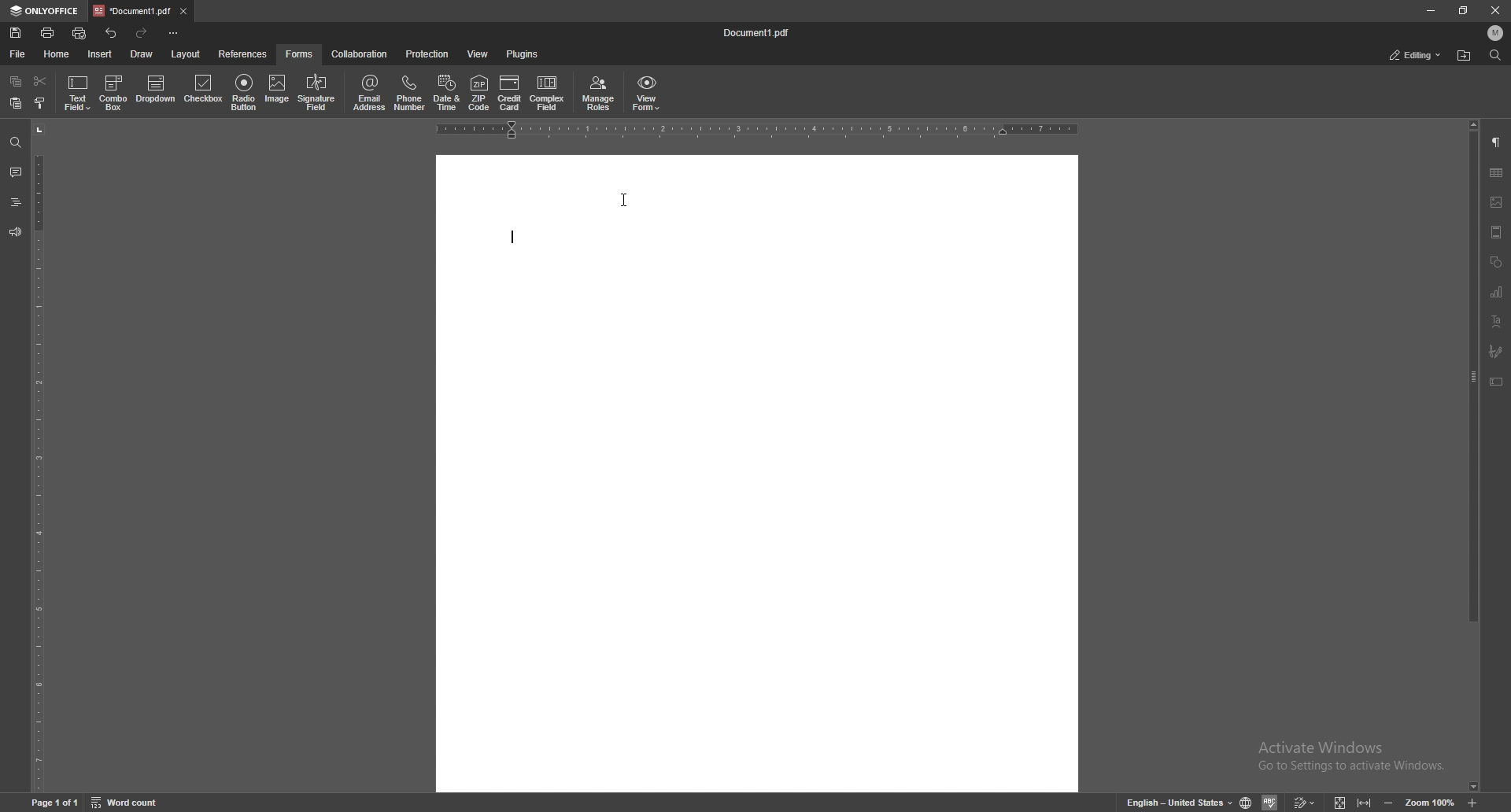  What do you see at coordinates (647, 93) in the screenshot?
I see `view form` at bounding box center [647, 93].